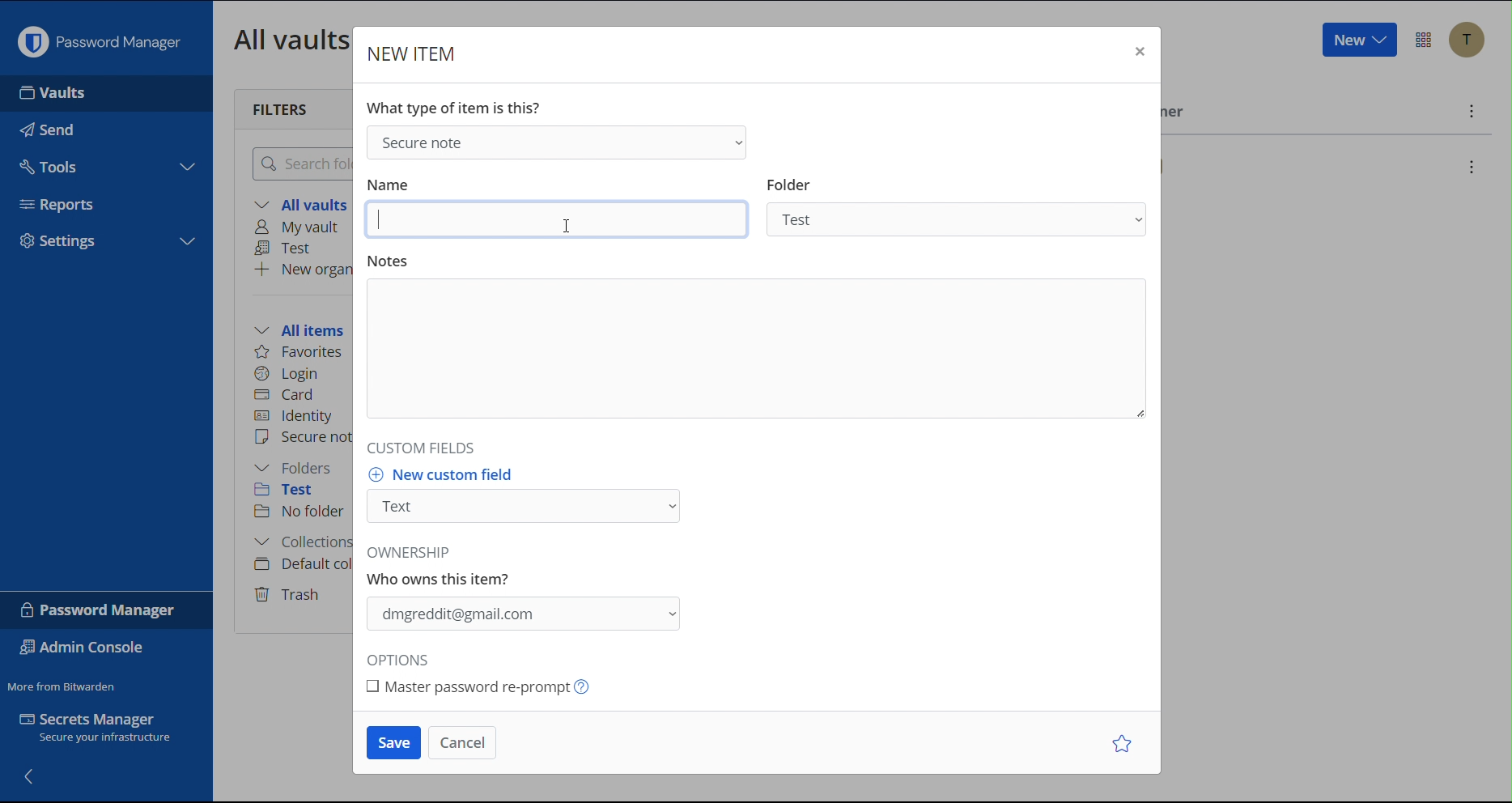 This screenshot has width=1512, height=803. Describe the element at coordinates (99, 38) in the screenshot. I see `Password Manager` at that location.